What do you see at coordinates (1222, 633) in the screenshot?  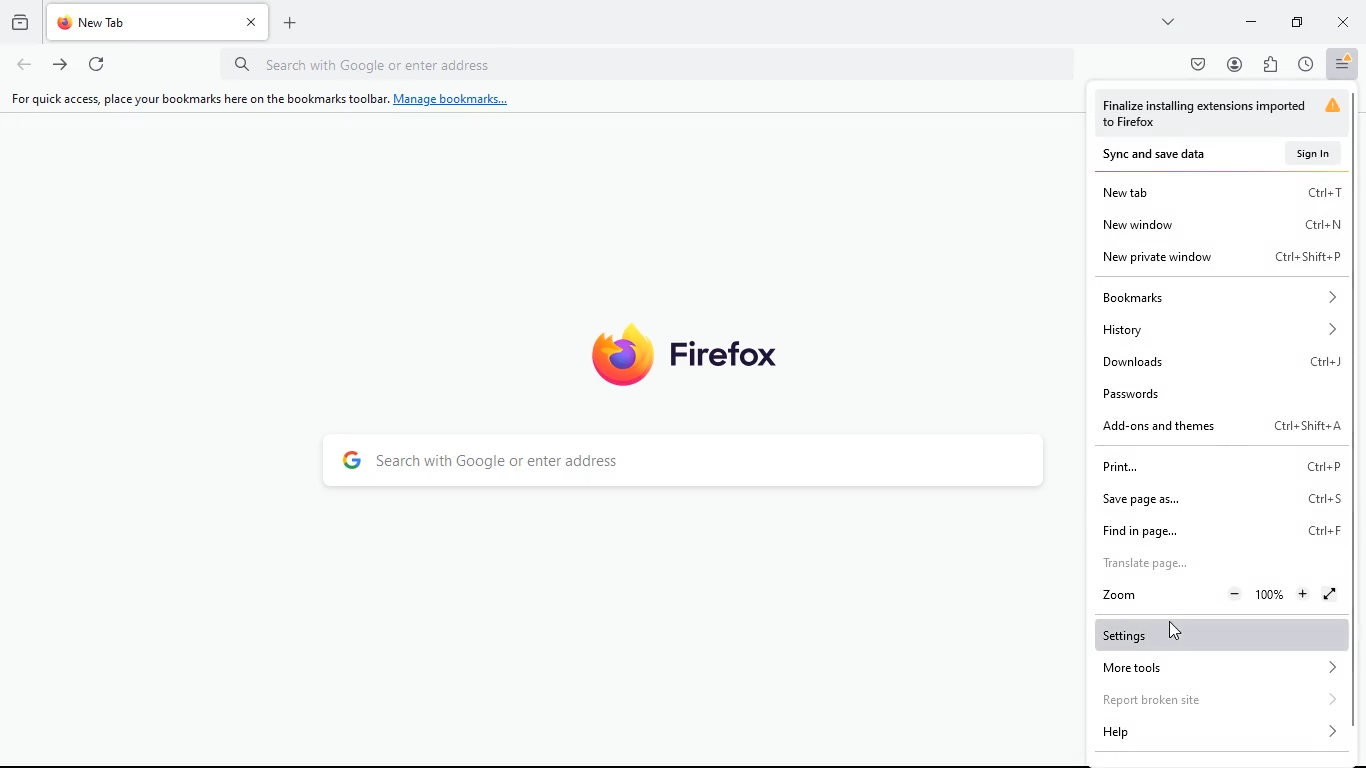 I see `settings` at bounding box center [1222, 633].